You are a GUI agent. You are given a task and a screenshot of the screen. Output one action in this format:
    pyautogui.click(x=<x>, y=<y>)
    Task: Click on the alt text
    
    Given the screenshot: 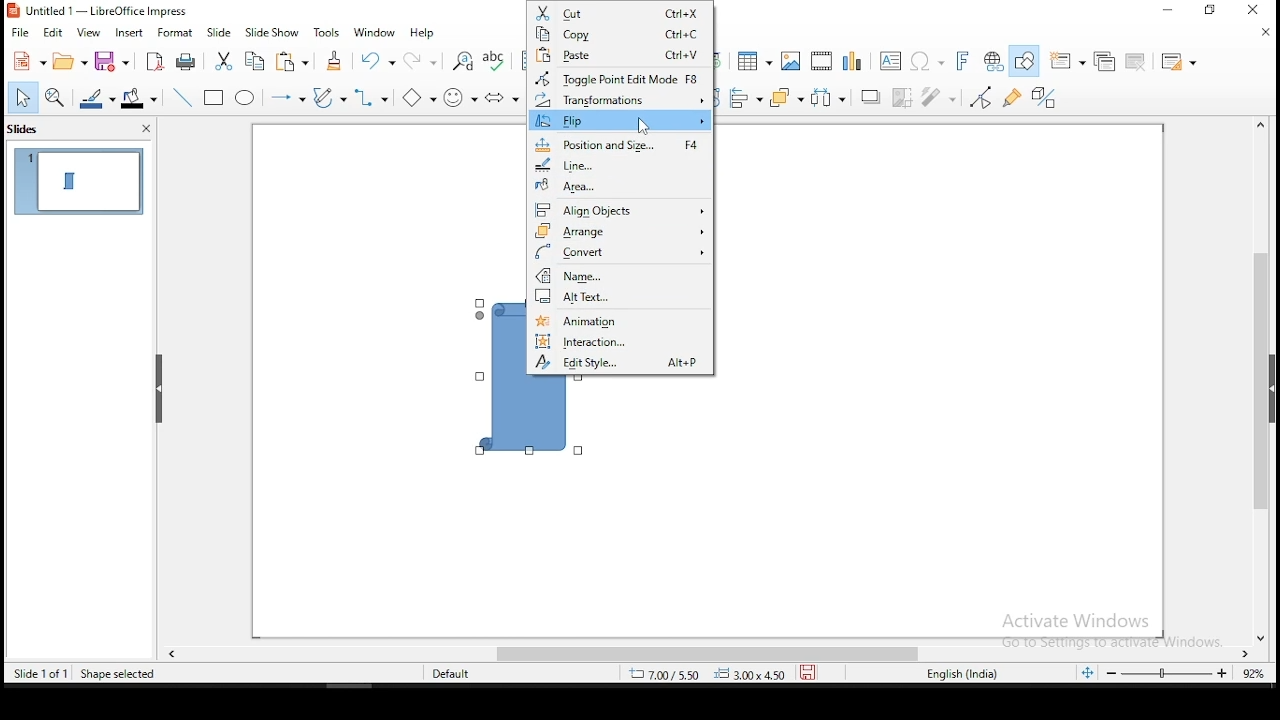 What is the action you would take?
    pyautogui.click(x=620, y=296)
    